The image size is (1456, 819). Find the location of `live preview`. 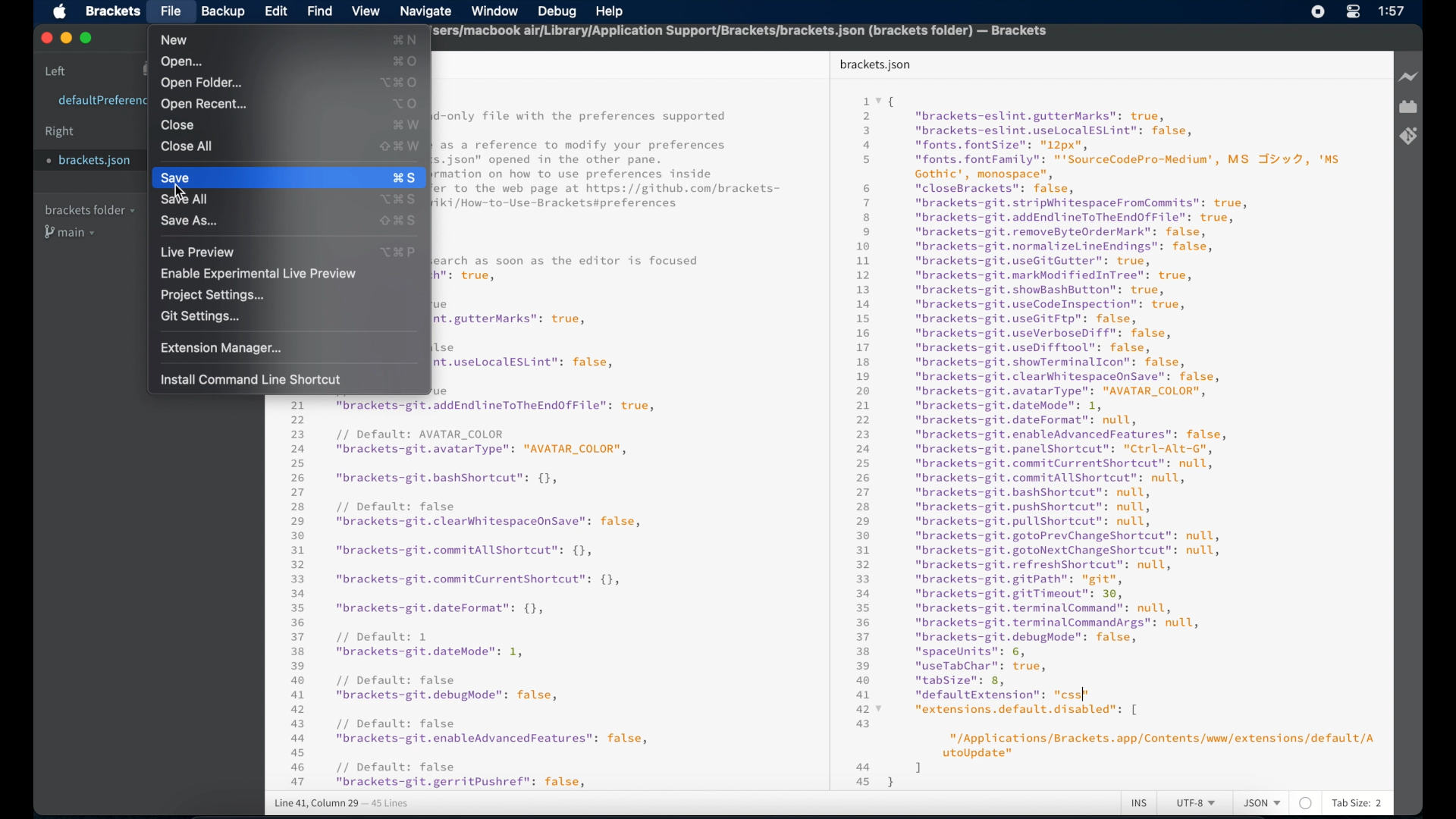

live preview is located at coordinates (197, 253).